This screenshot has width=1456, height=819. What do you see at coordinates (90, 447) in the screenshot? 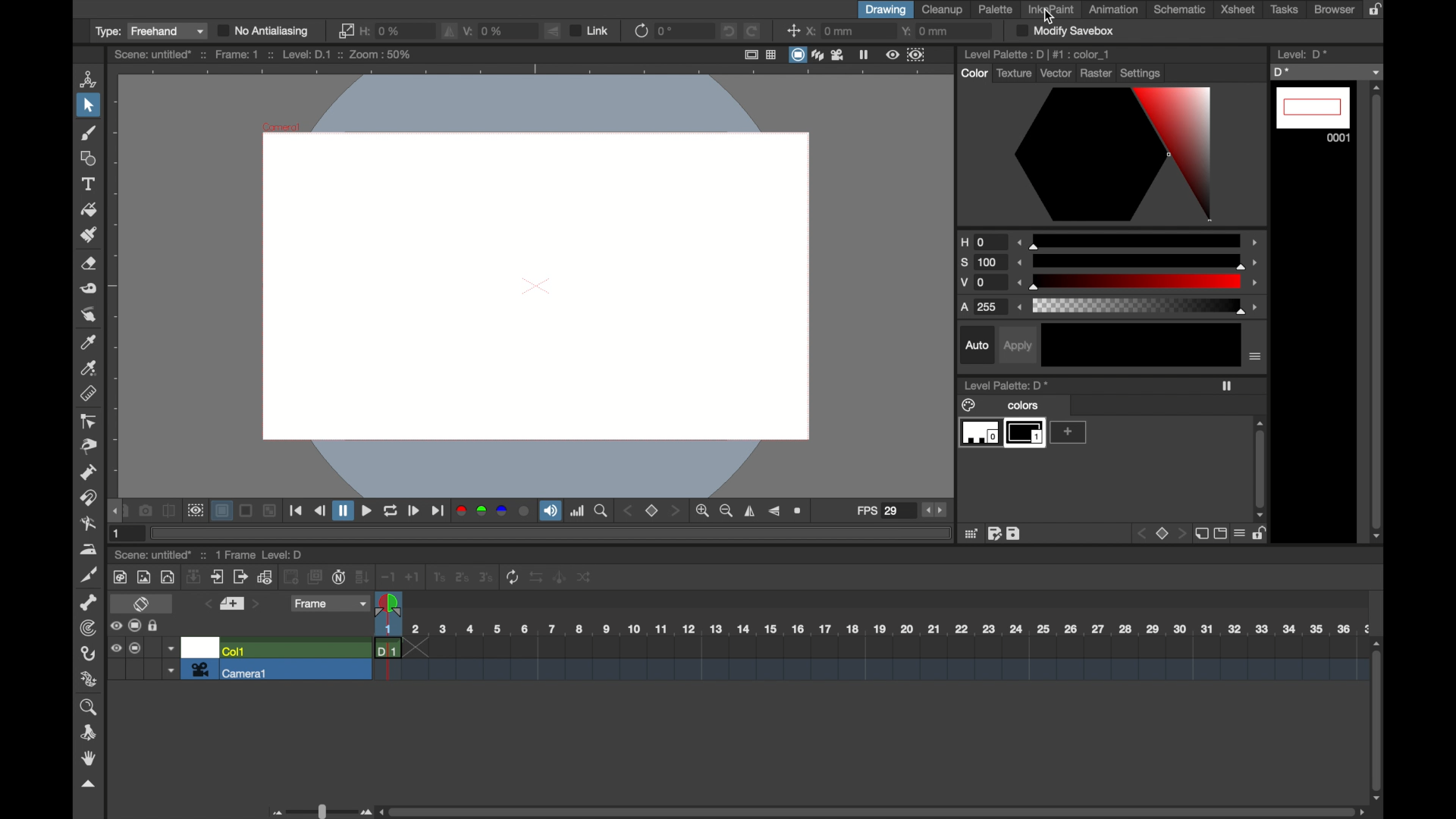
I see `pinch tool` at bounding box center [90, 447].